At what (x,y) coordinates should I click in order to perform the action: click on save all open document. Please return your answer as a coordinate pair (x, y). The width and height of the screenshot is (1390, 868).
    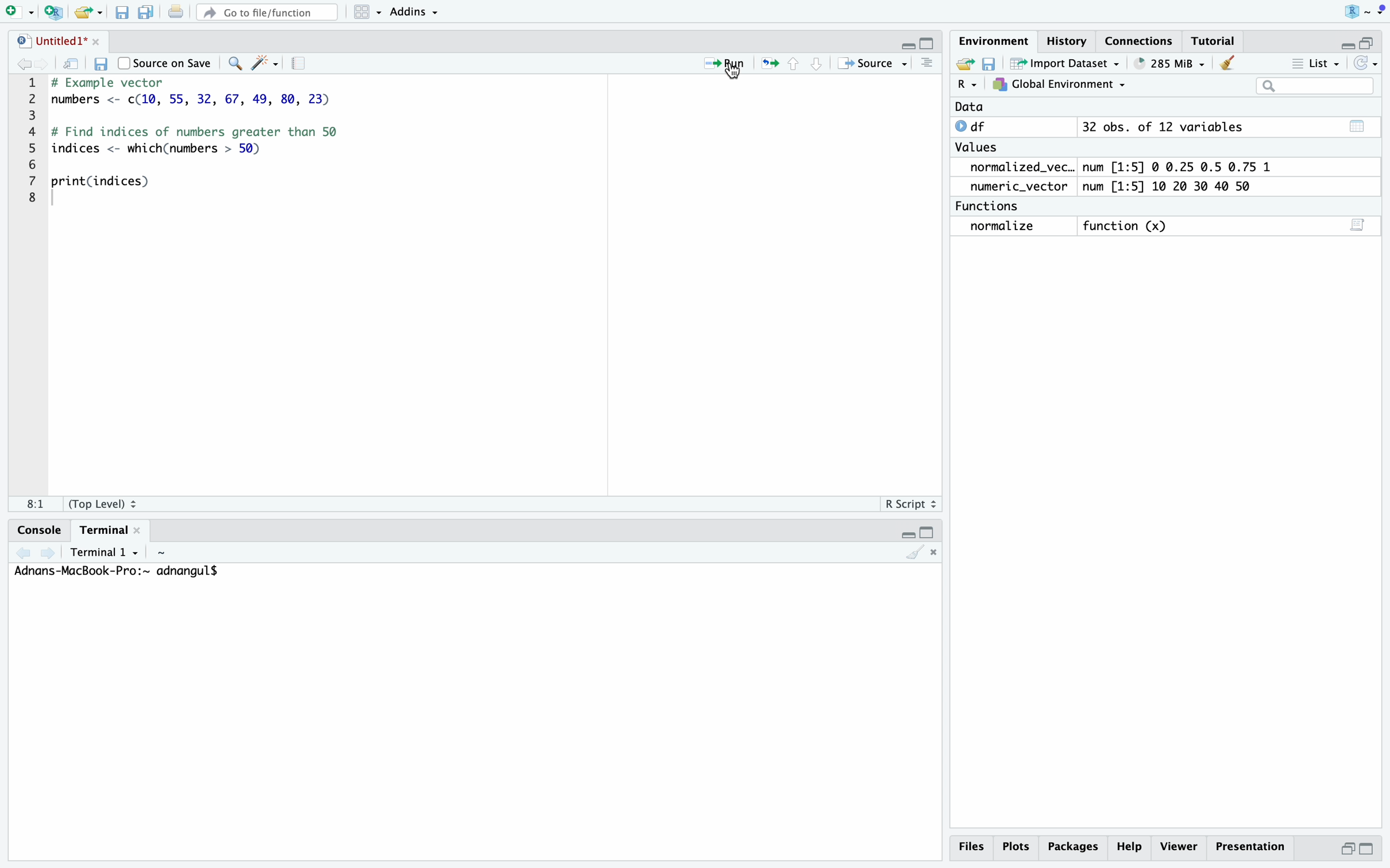
    Looking at the image, I should click on (144, 12).